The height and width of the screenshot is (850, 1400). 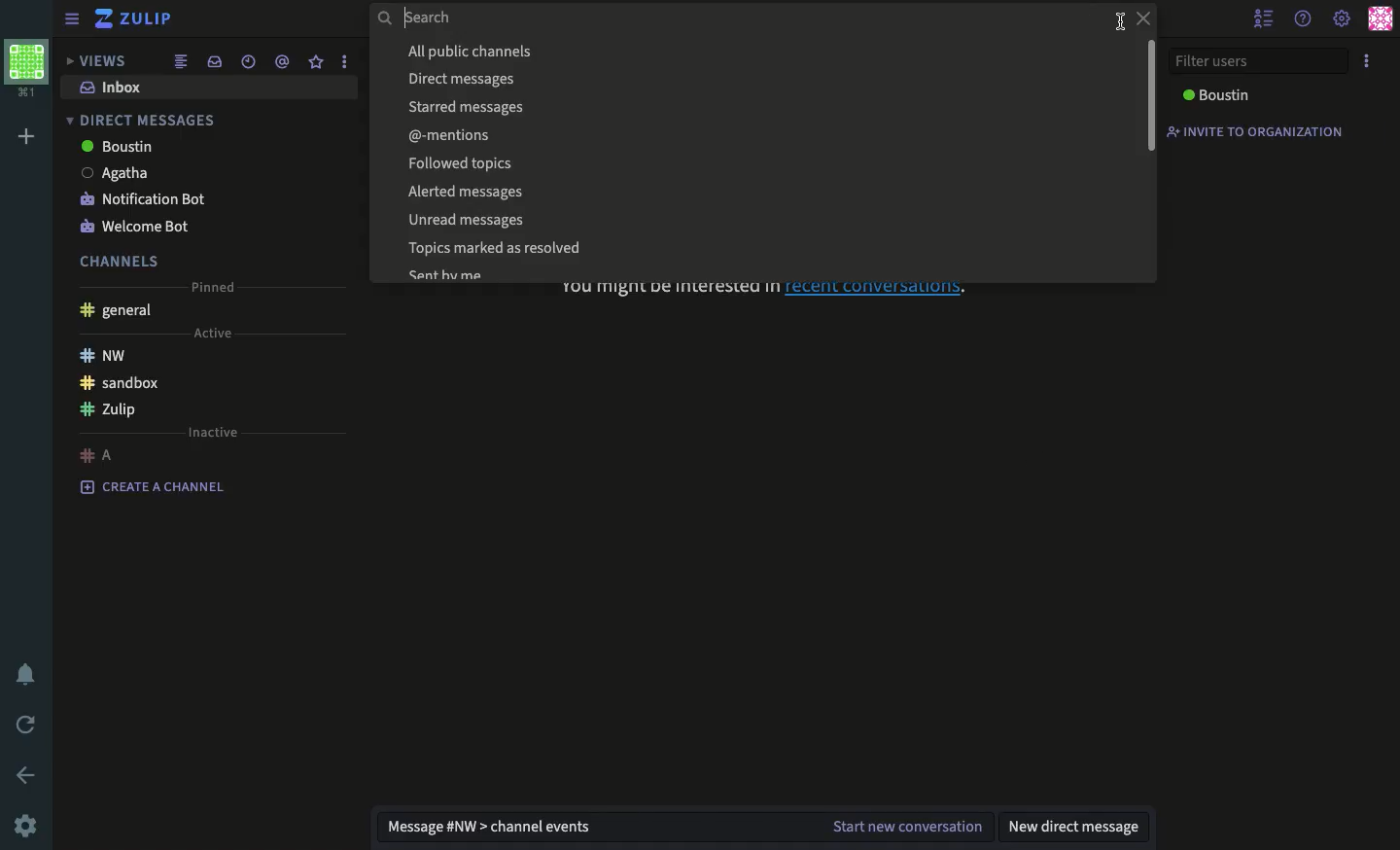 I want to click on boustin, so click(x=116, y=147).